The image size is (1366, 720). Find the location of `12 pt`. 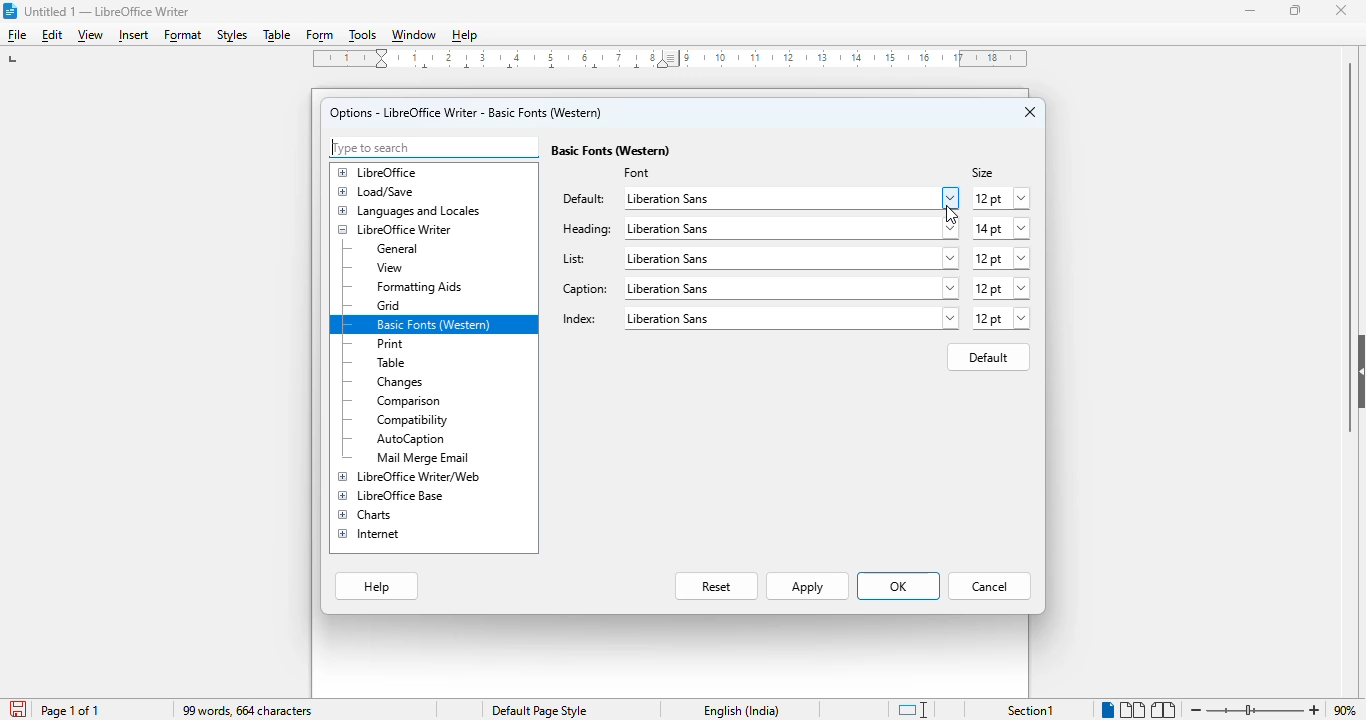

12 pt is located at coordinates (1001, 258).